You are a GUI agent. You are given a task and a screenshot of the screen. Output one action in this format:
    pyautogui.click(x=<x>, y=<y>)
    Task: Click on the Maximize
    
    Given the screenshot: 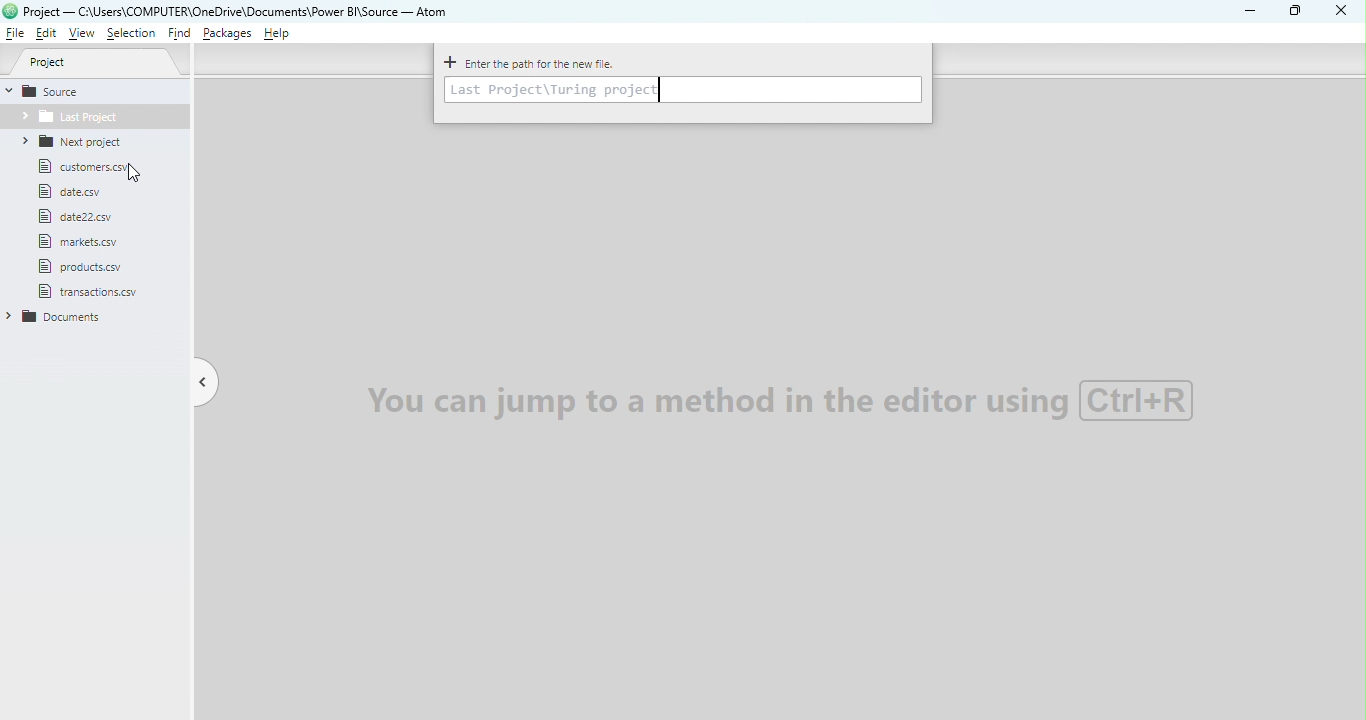 What is the action you would take?
    pyautogui.click(x=1298, y=10)
    